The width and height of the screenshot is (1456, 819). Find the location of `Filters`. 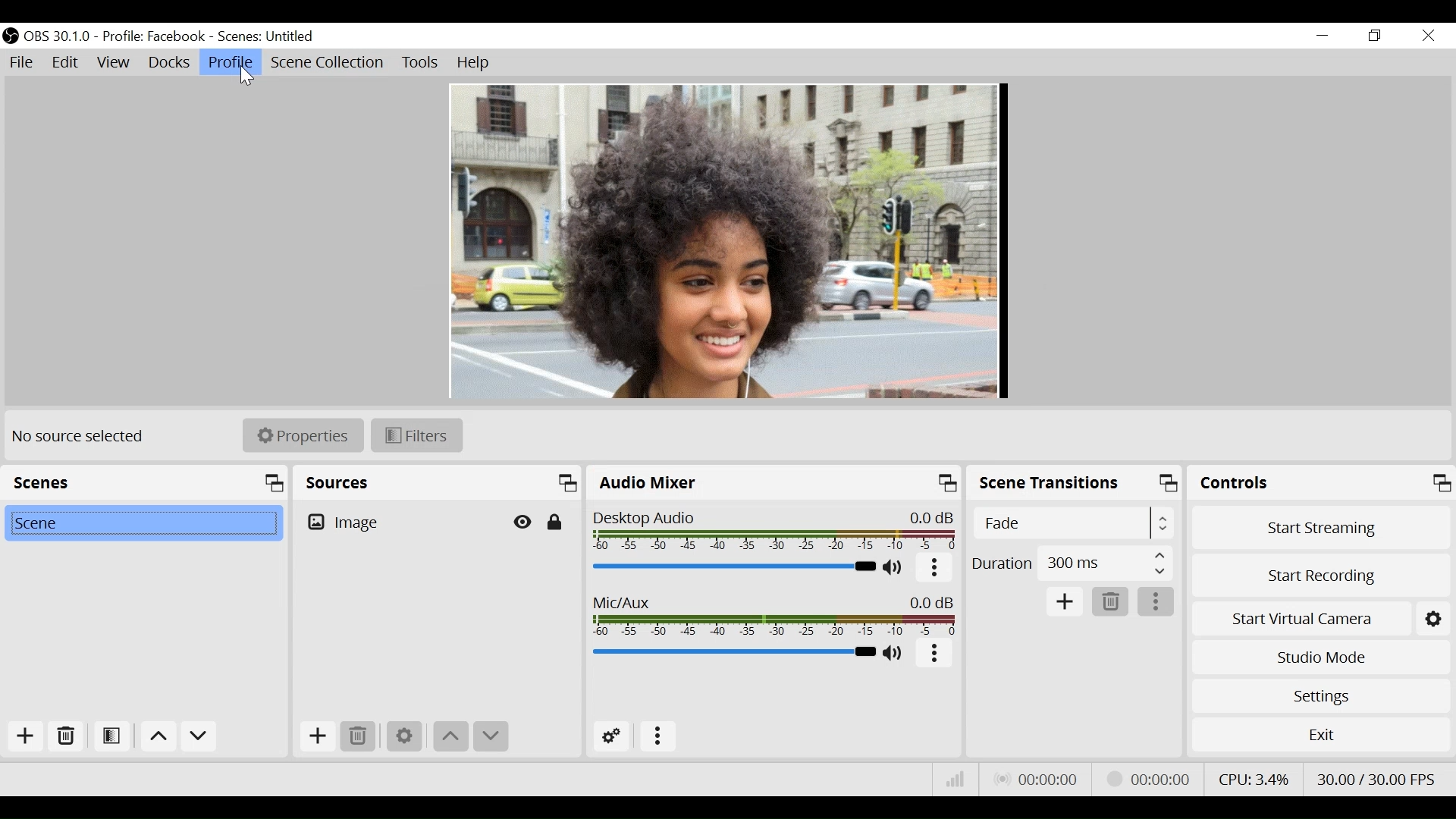

Filters is located at coordinates (418, 436).